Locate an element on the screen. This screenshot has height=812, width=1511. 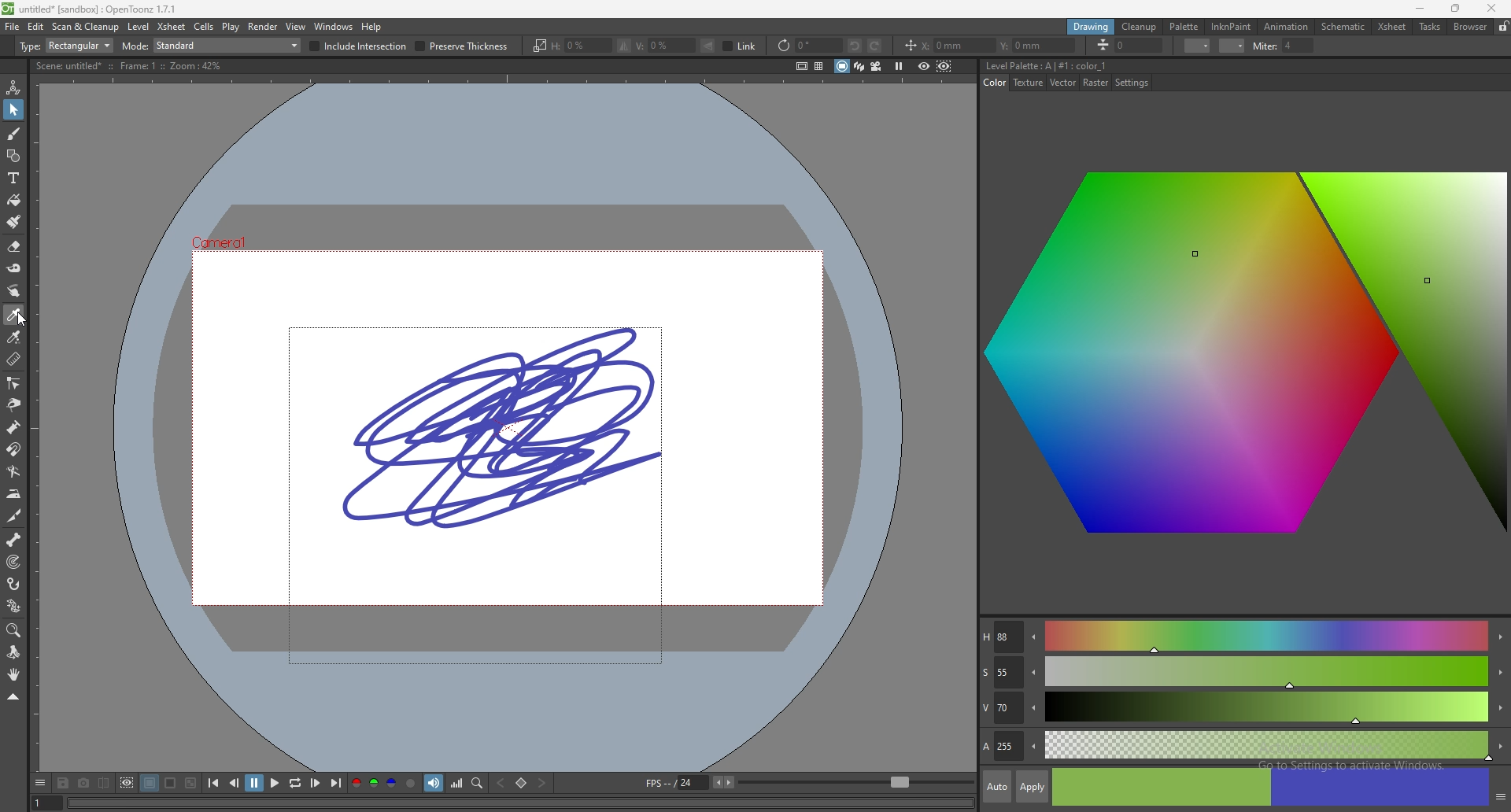
collapse toolbar is located at coordinates (13, 696).